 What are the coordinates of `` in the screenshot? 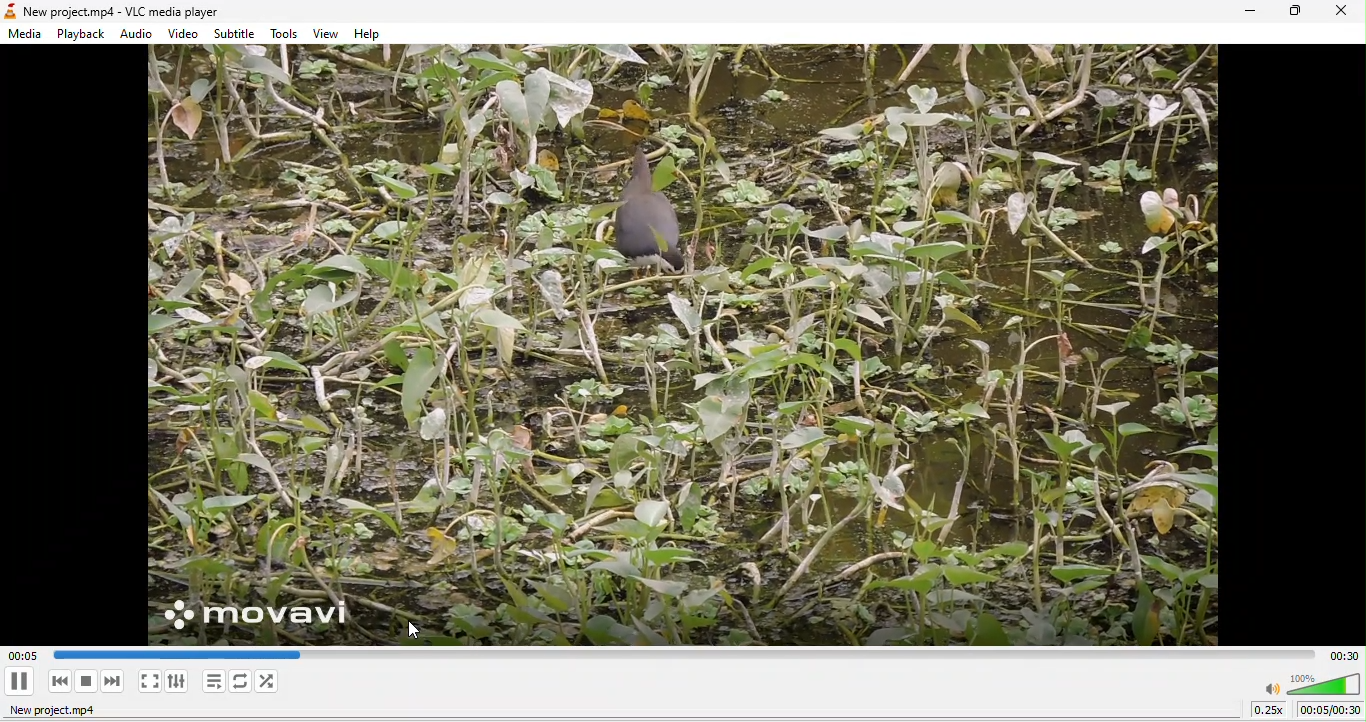 It's located at (22, 679).